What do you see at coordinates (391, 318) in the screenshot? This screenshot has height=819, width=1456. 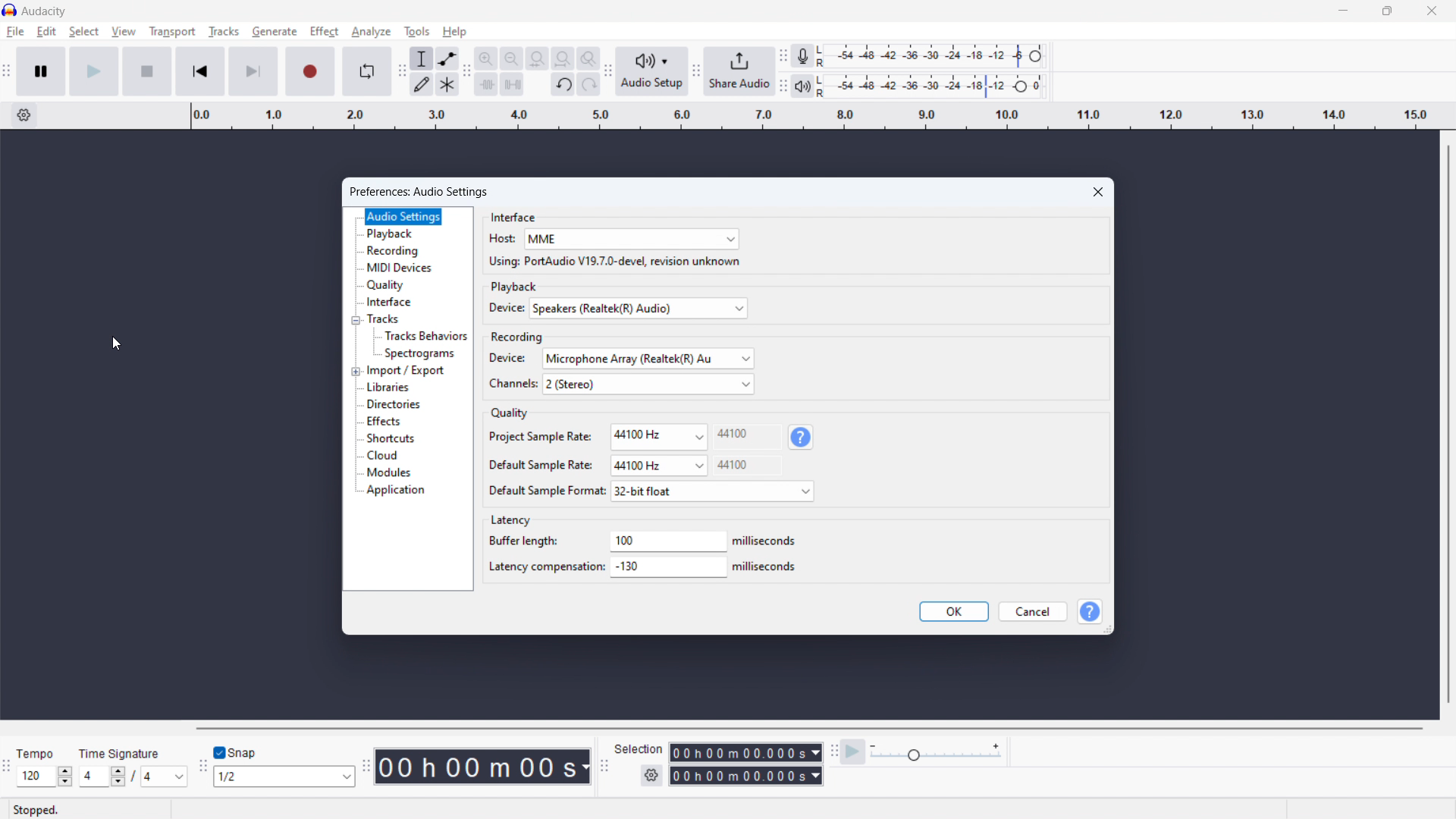 I see `tracks` at bounding box center [391, 318].